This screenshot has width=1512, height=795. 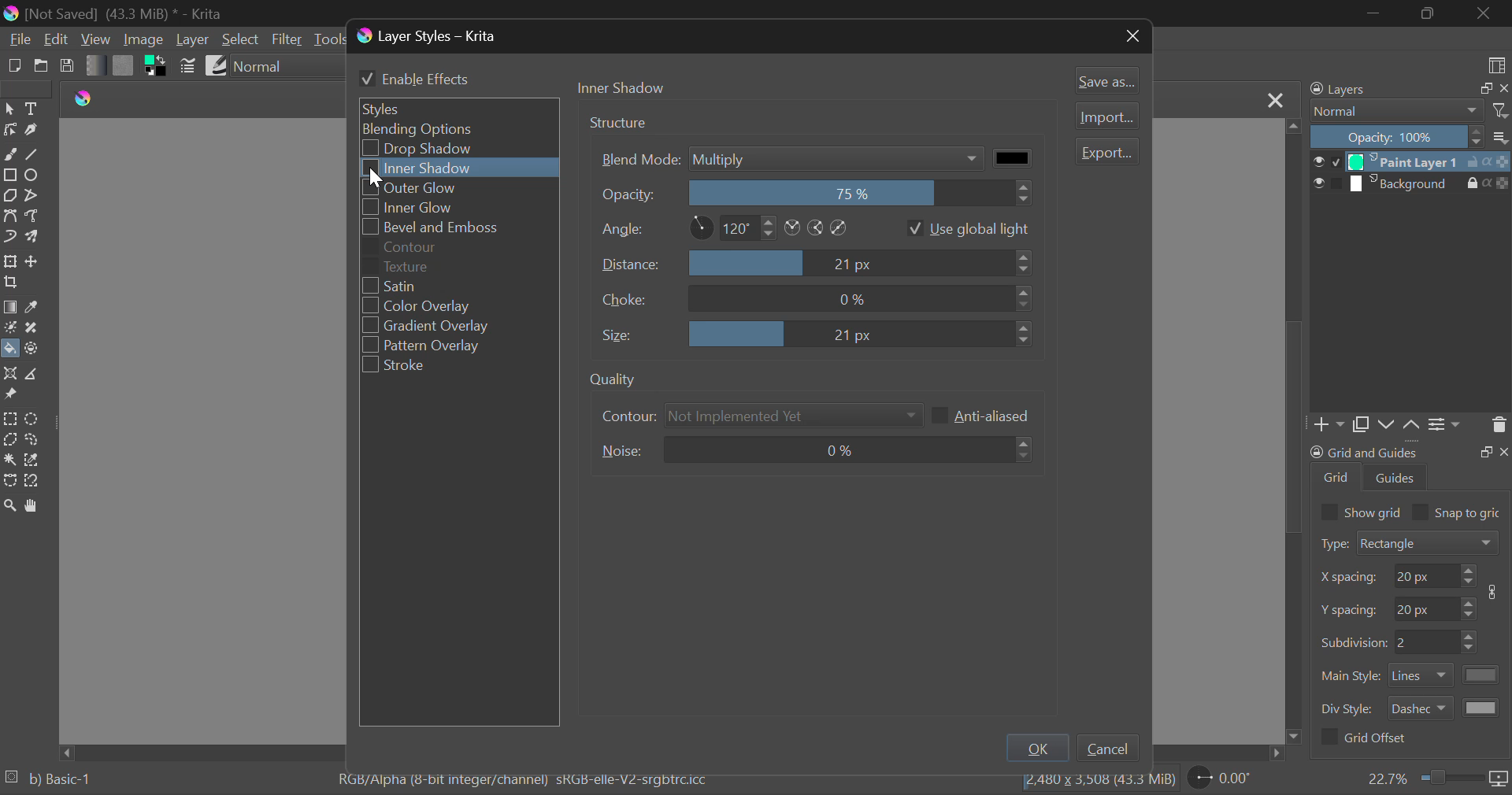 I want to click on Eyedropper, so click(x=35, y=306).